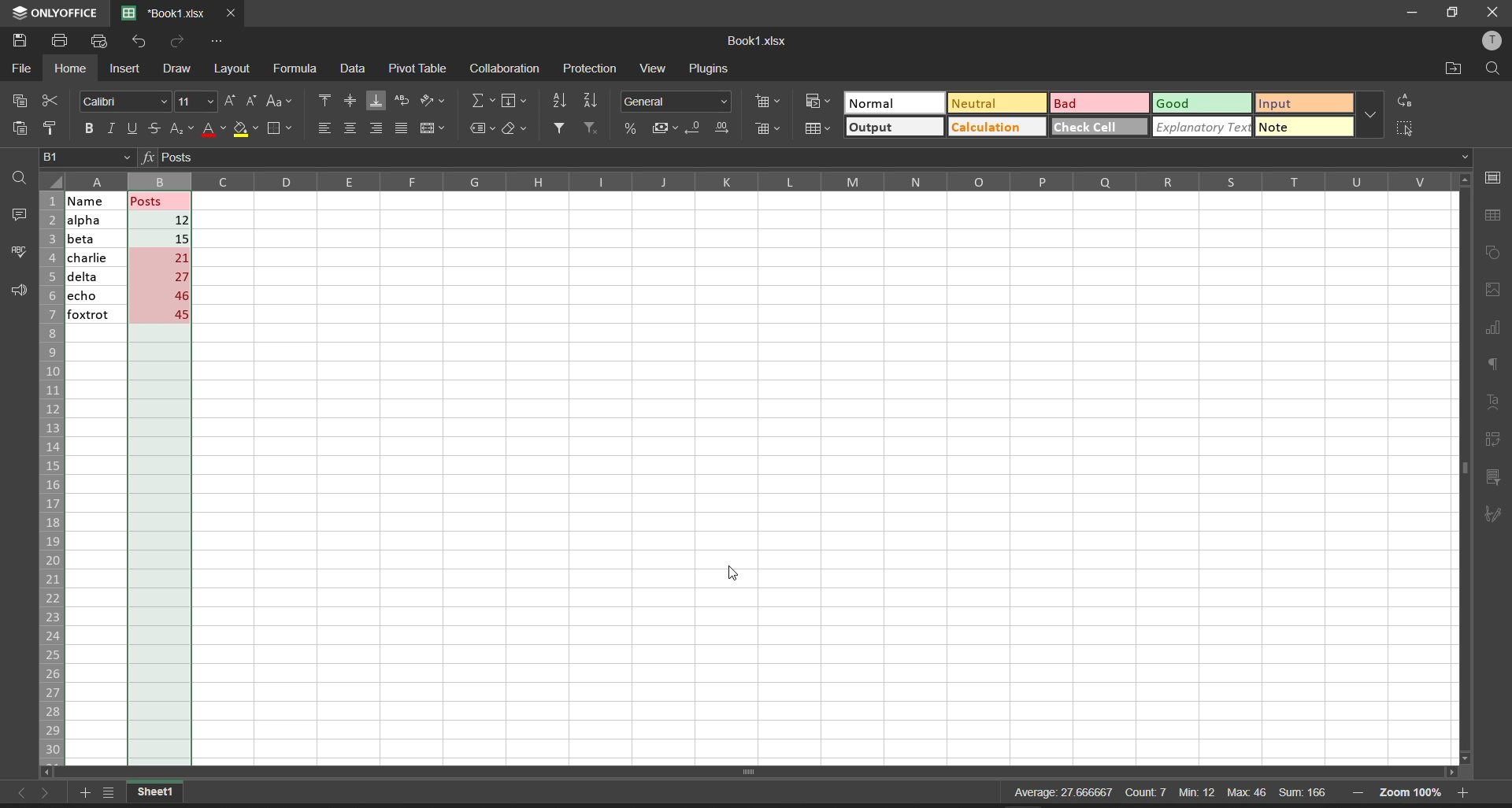  What do you see at coordinates (230, 95) in the screenshot?
I see `increment font size` at bounding box center [230, 95].